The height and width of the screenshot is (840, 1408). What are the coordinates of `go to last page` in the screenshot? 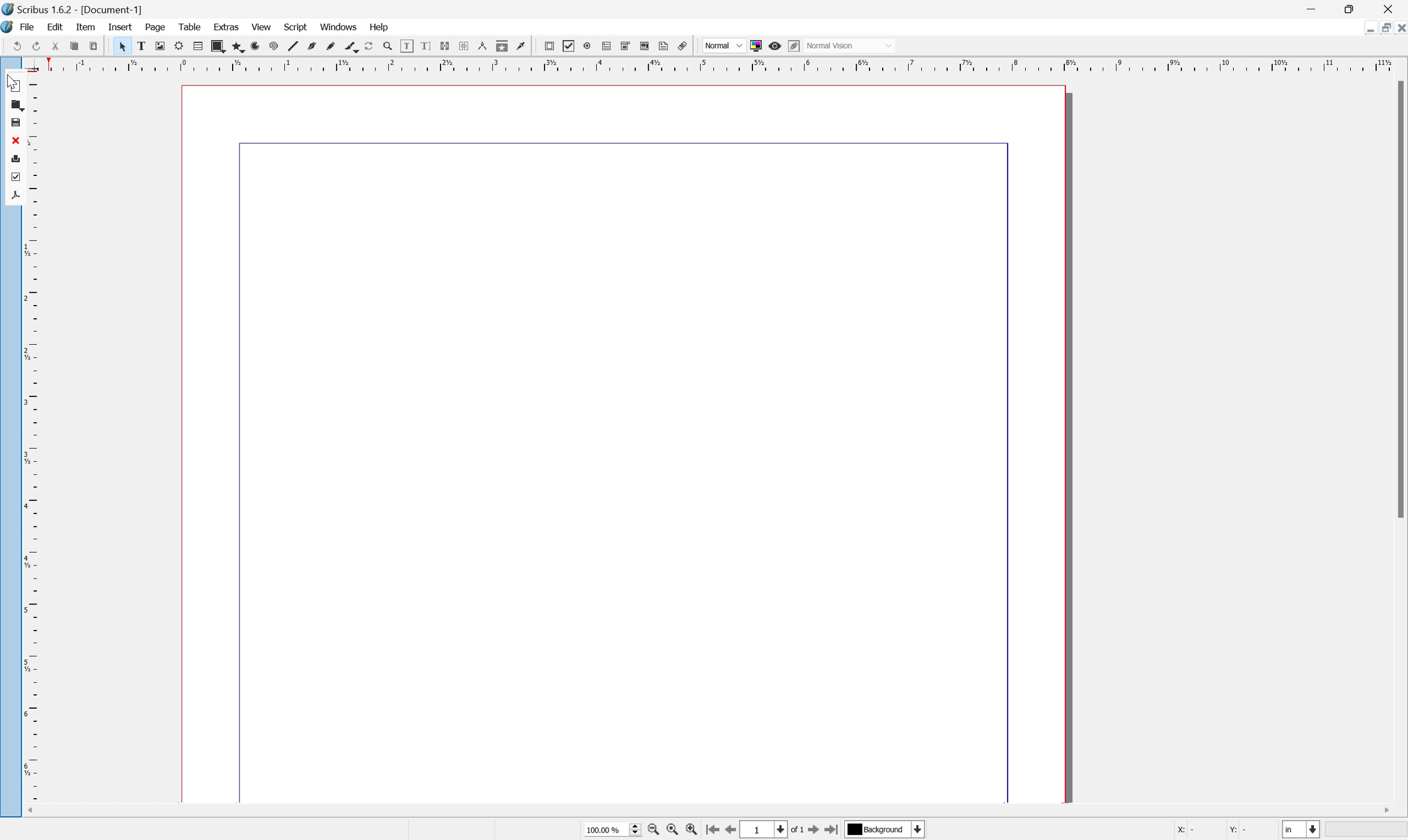 It's located at (832, 832).